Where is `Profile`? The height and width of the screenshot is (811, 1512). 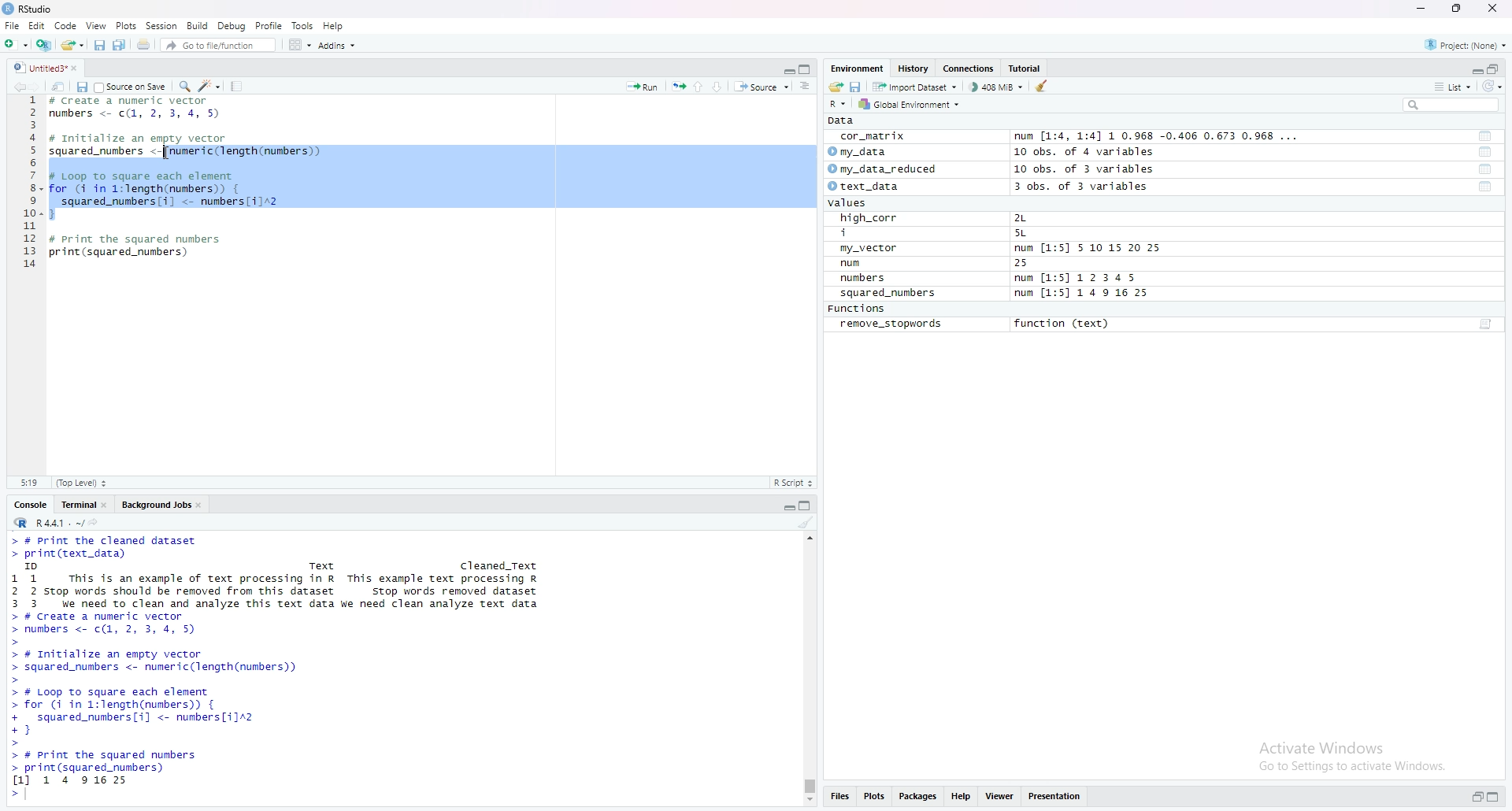 Profile is located at coordinates (269, 25).